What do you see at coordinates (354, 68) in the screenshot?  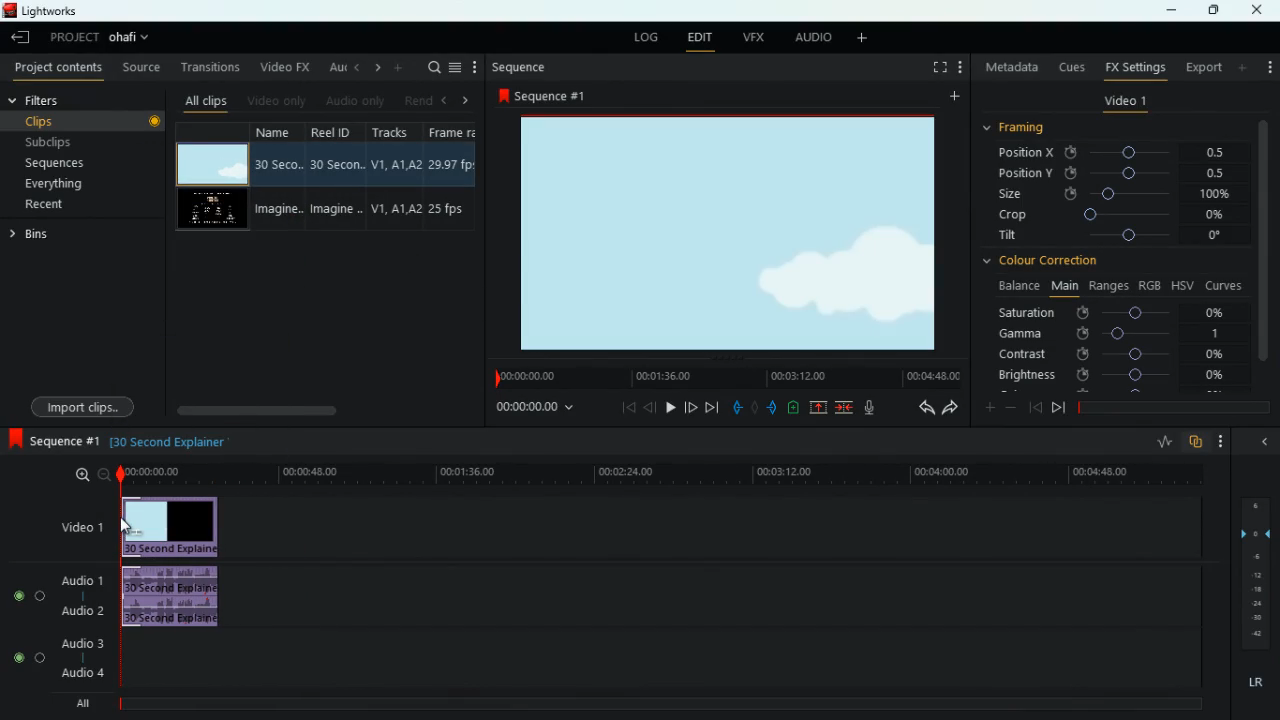 I see `left` at bounding box center [354, 68].